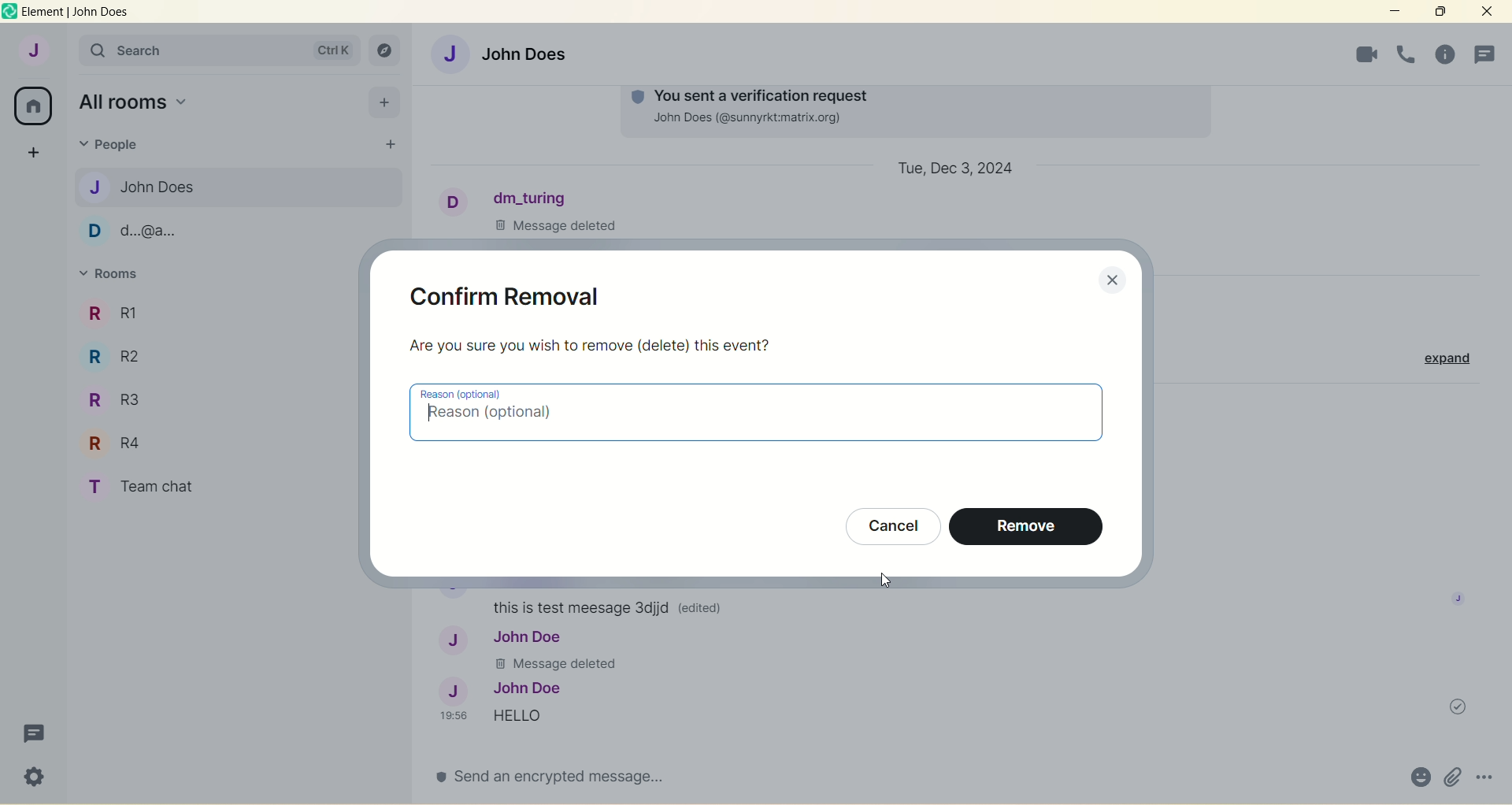 Image resolution: width=1512 pixels, height=805 pixels. Describe the element at coordinates (32, 778) in the screenshot. I see `quick settings` at that location.